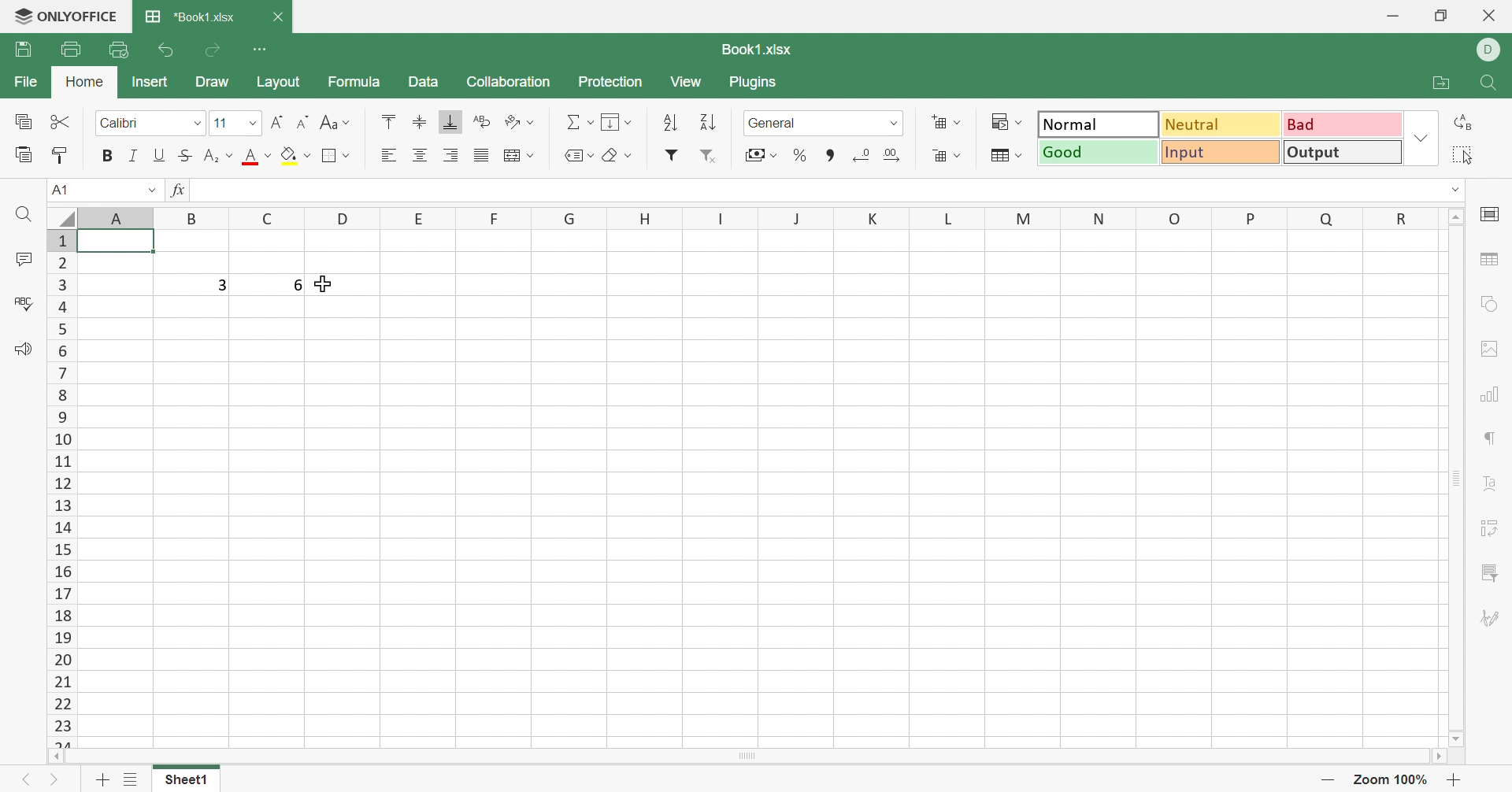 The width and height of the screenshot is (1512, 792). Describe the element at coordinates (619, 154) in the screenshot. I see `Clear` at that location.